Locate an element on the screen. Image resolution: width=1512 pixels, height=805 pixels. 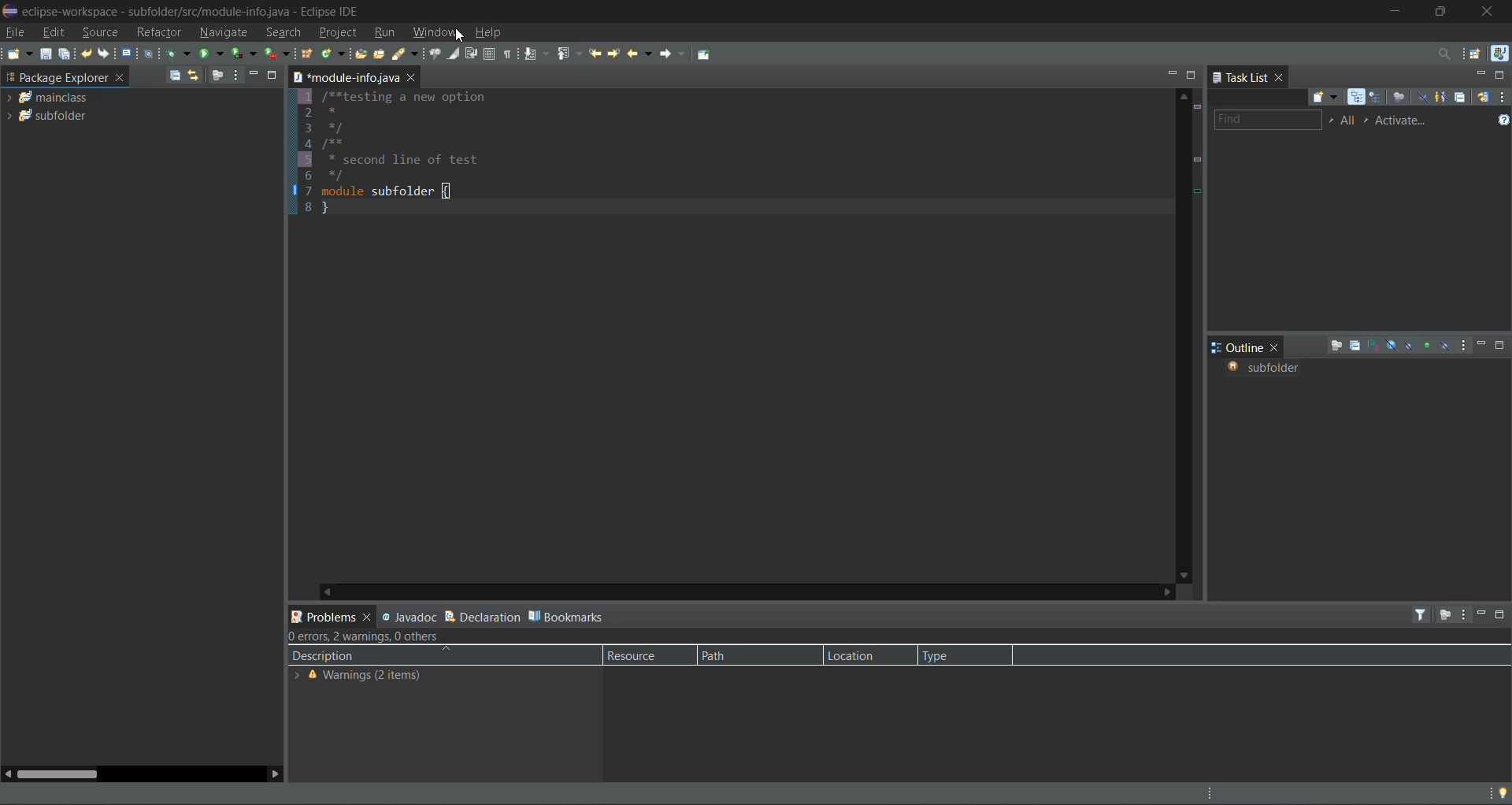
maximize is located at coordinates (1503, 614).